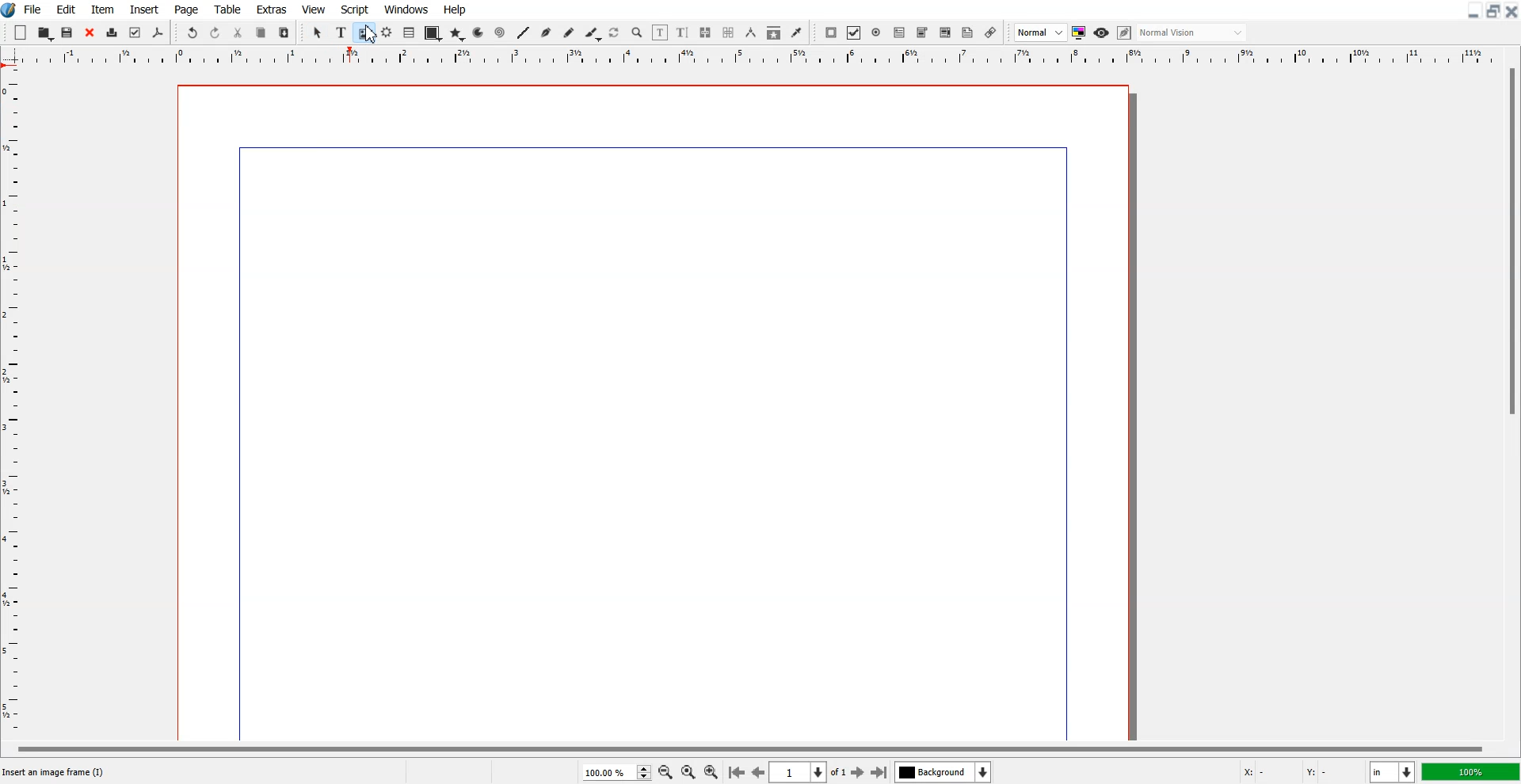 The height and width of the screenshot is (784, 1521). Describe the element at coordinates (370, 36) in the screenshot. I see `Cursor` at that location.